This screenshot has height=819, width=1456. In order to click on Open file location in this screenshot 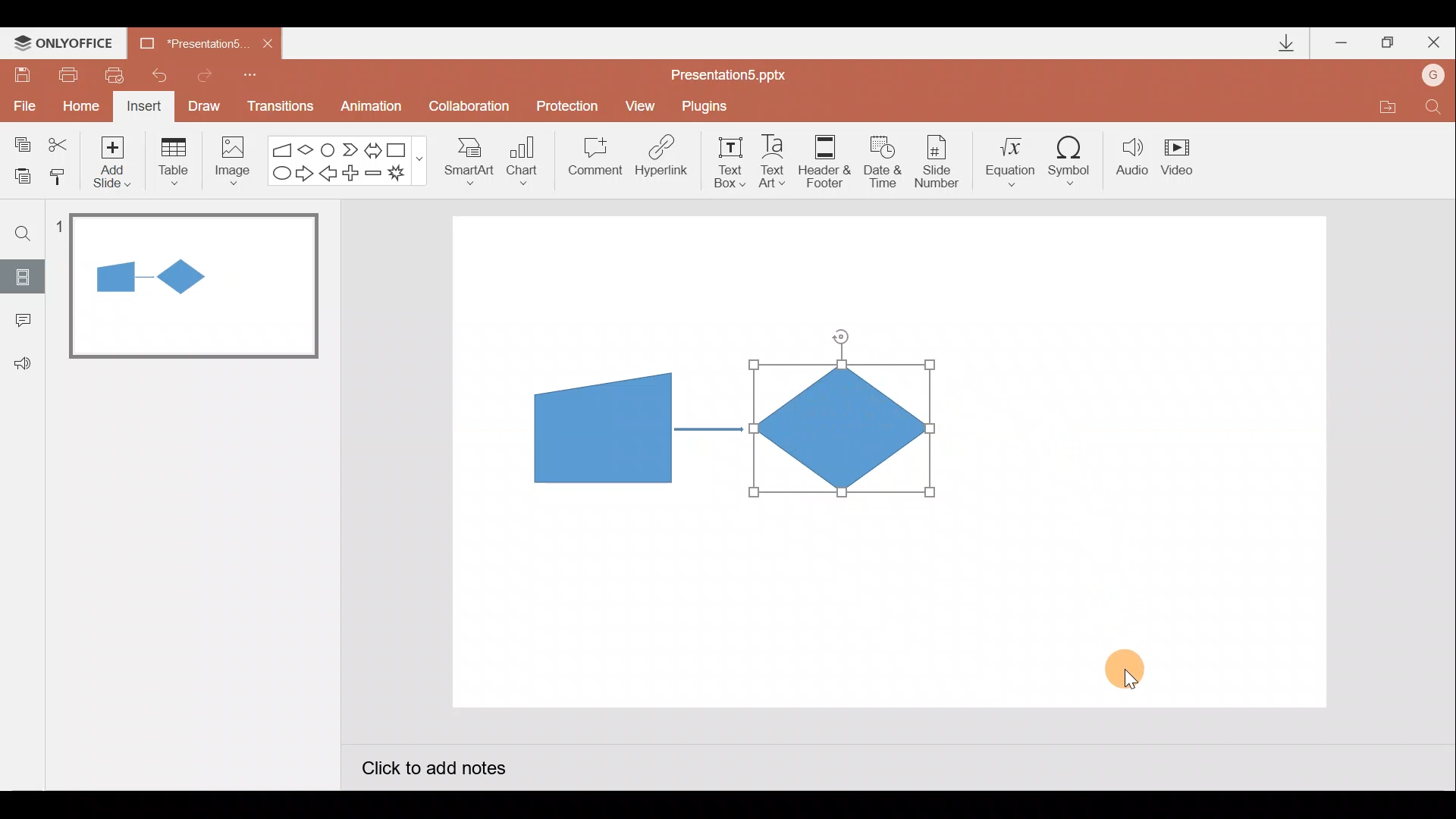, I will do `click(1387, 109)`.